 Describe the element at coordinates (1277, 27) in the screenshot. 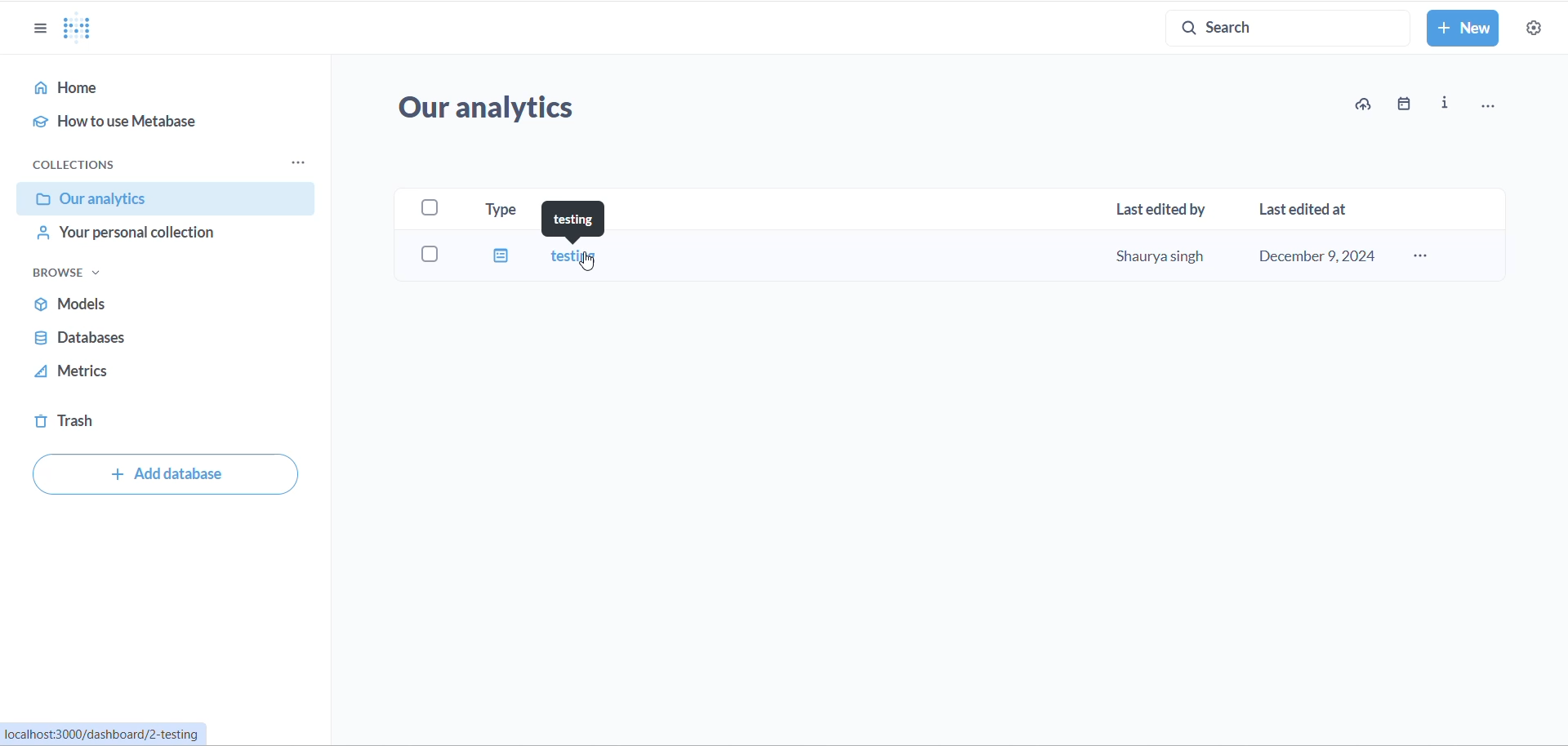

I see `search` at that location.